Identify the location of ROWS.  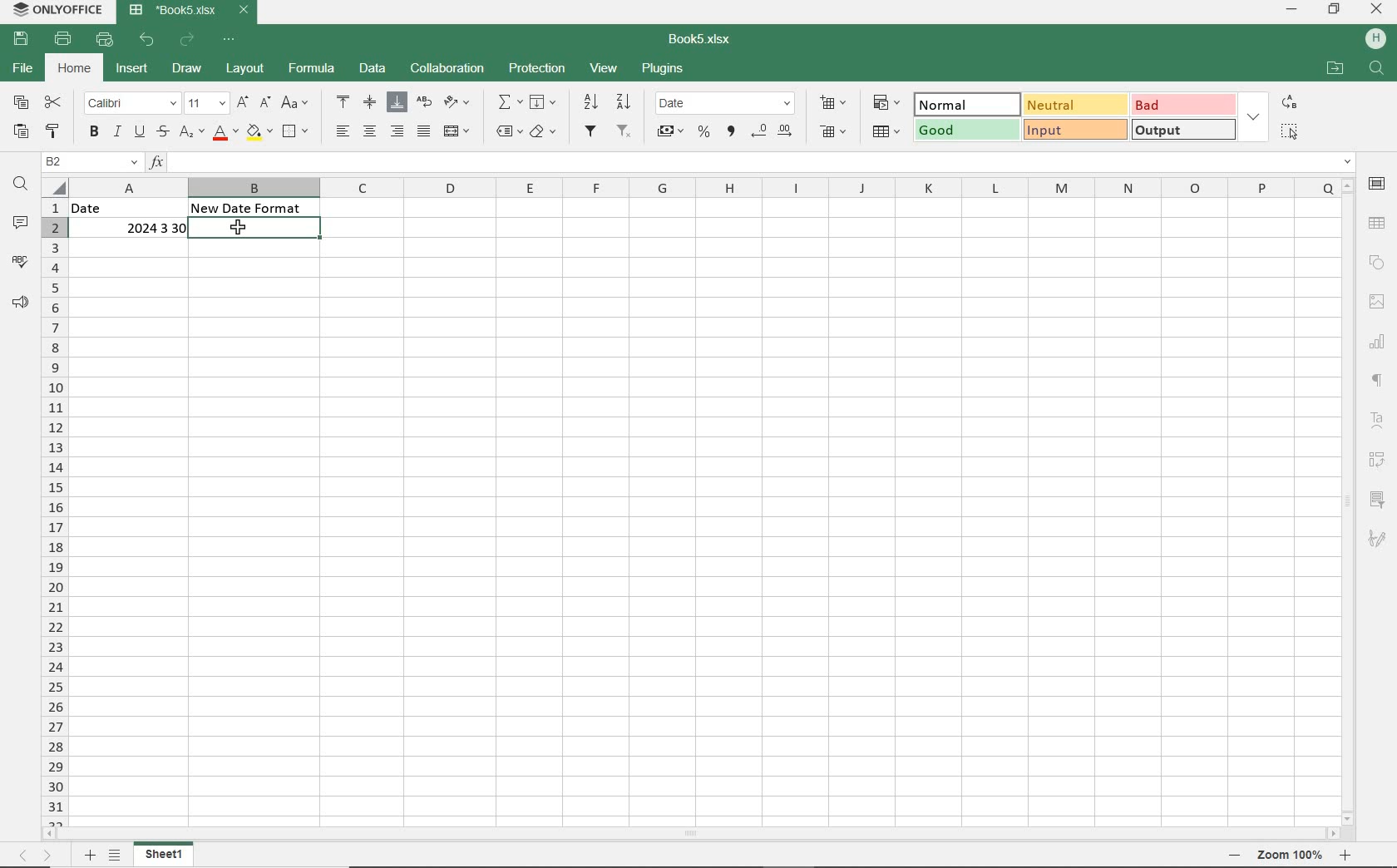
(52, 501).